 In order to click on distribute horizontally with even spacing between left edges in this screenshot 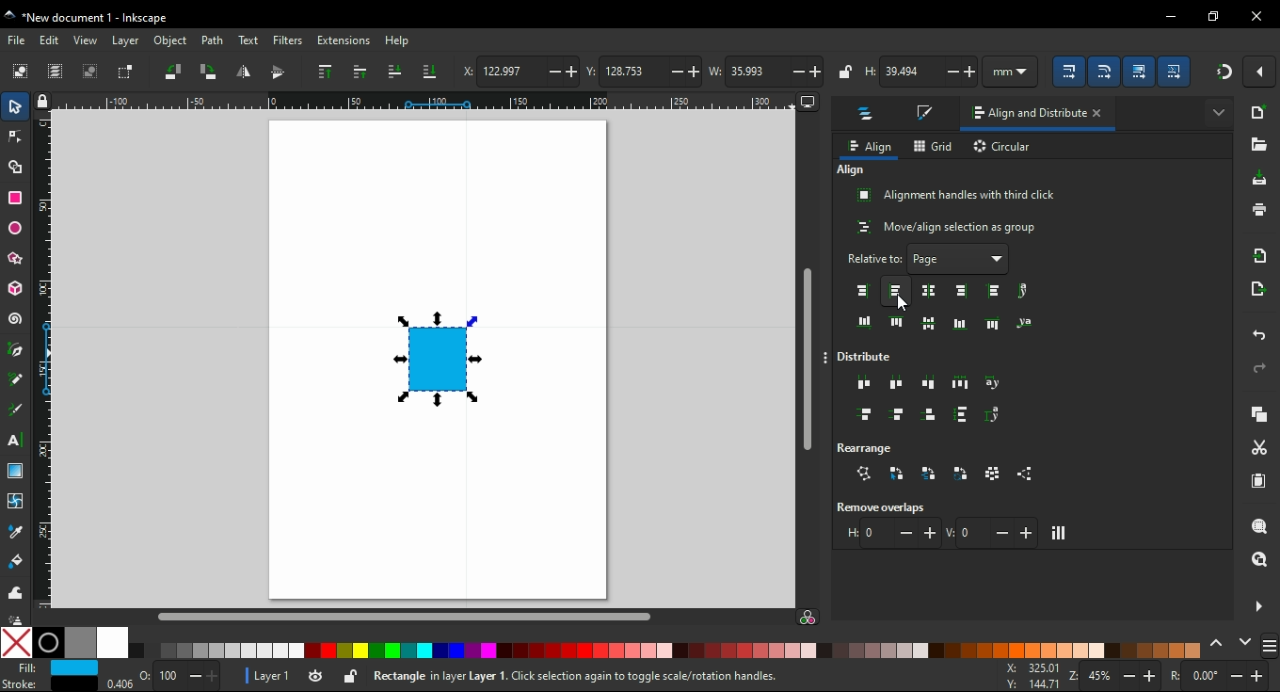, I will do `click(863, 384)`.